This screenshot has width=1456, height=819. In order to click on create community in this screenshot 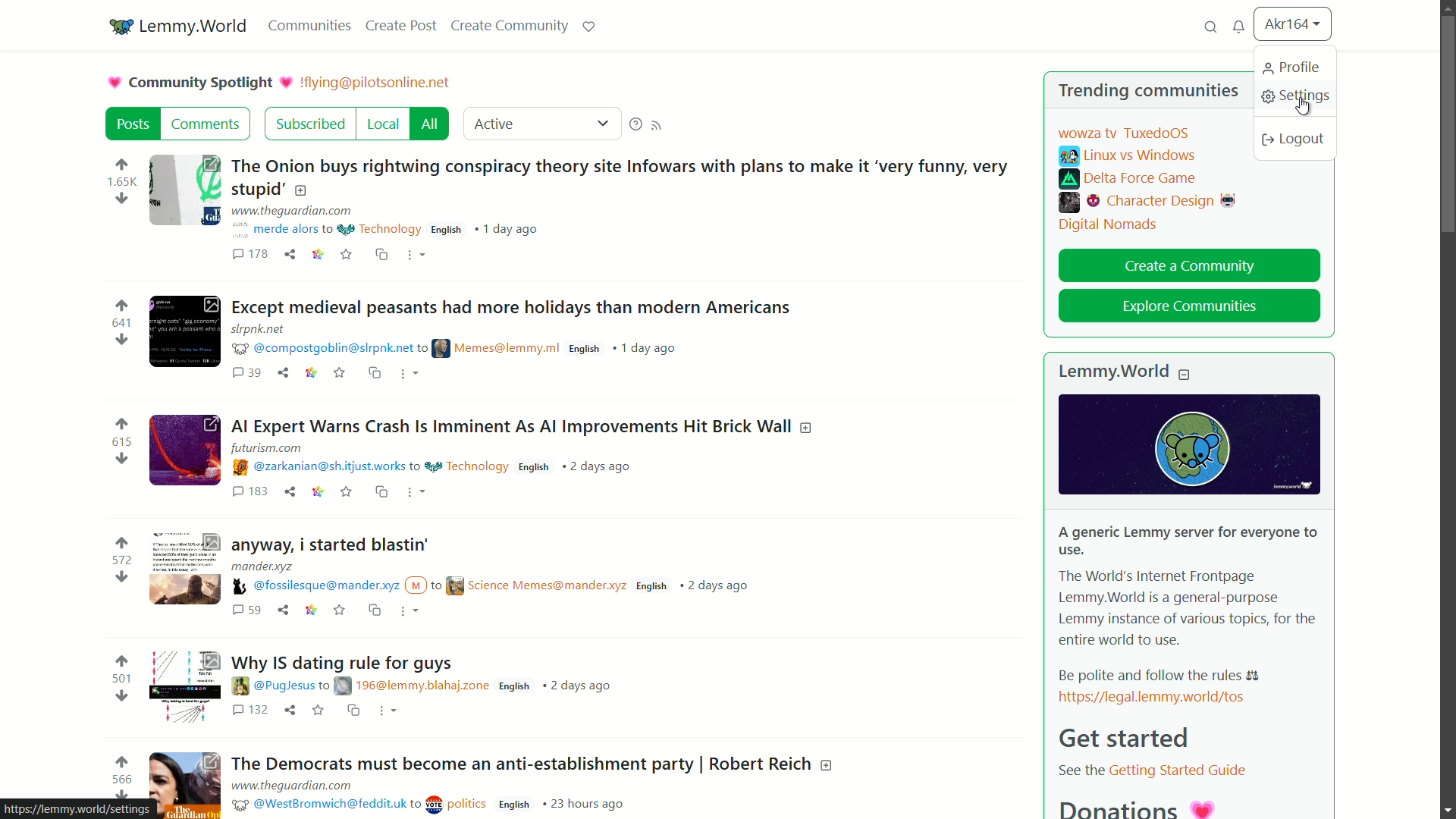, I will do `click(509, 26)`.